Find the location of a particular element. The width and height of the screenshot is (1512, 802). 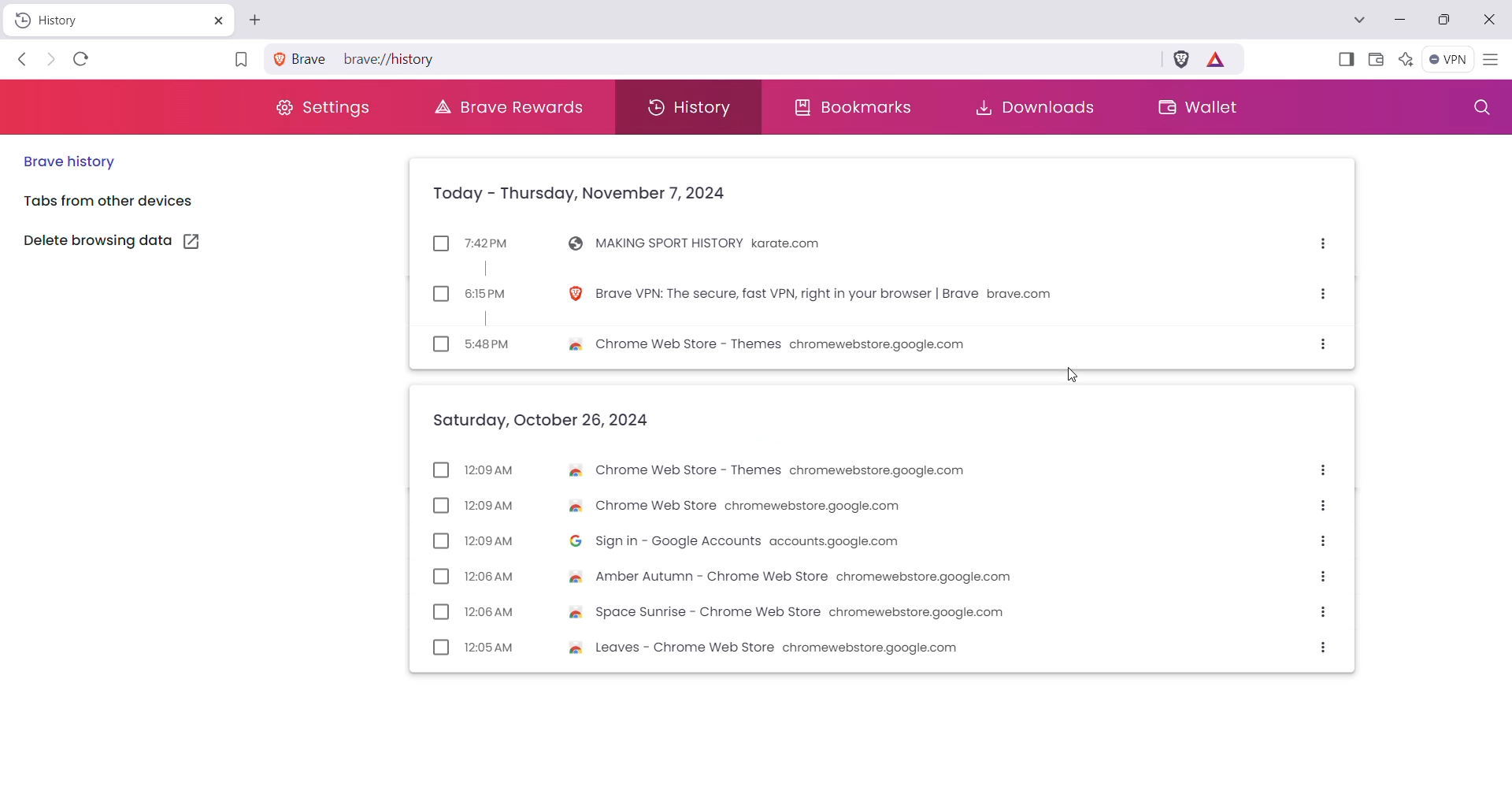

12:05 AM is located at coordinates (496, 654).